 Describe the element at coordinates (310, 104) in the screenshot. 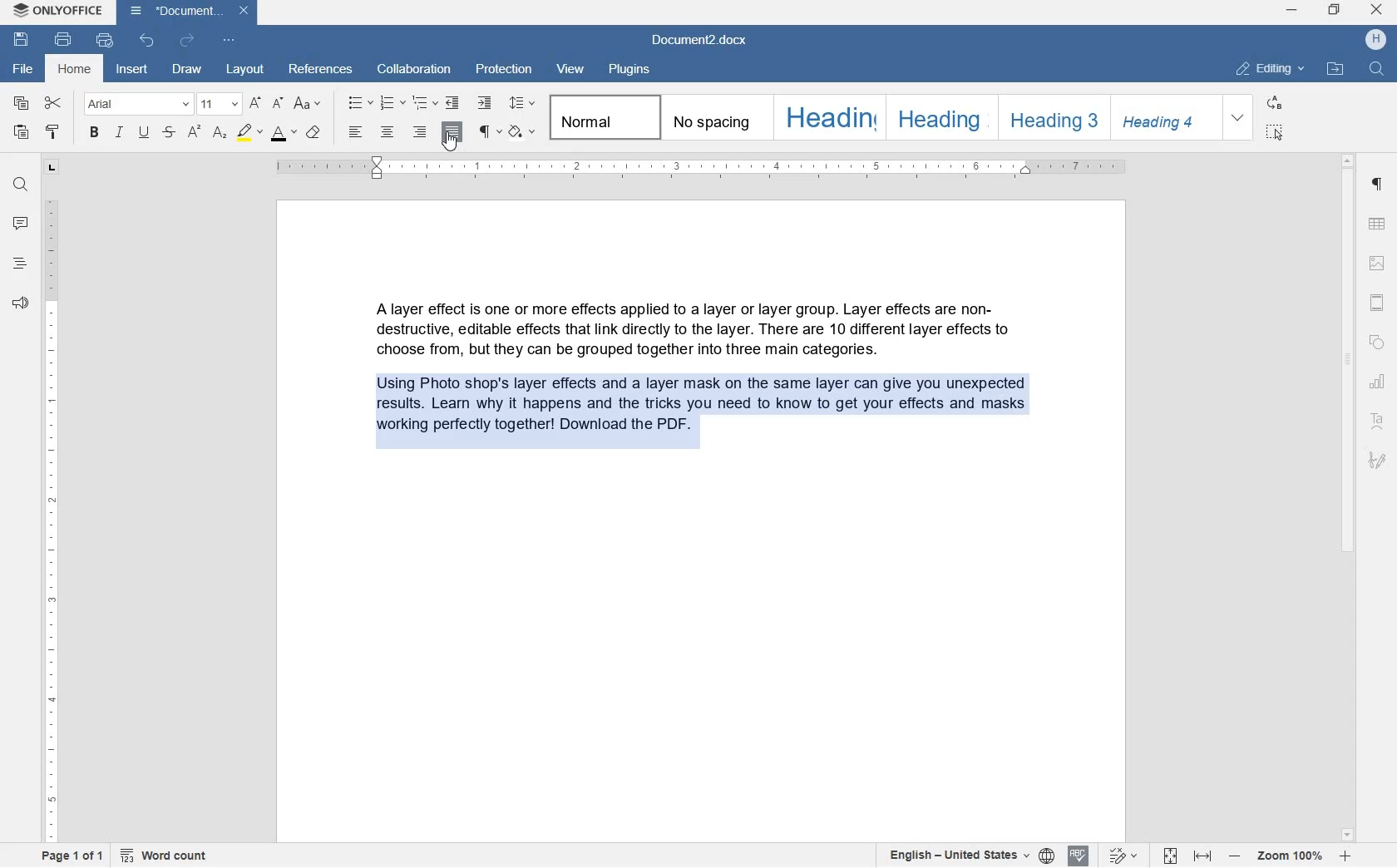

I see `CHANGE CASE` at that location.